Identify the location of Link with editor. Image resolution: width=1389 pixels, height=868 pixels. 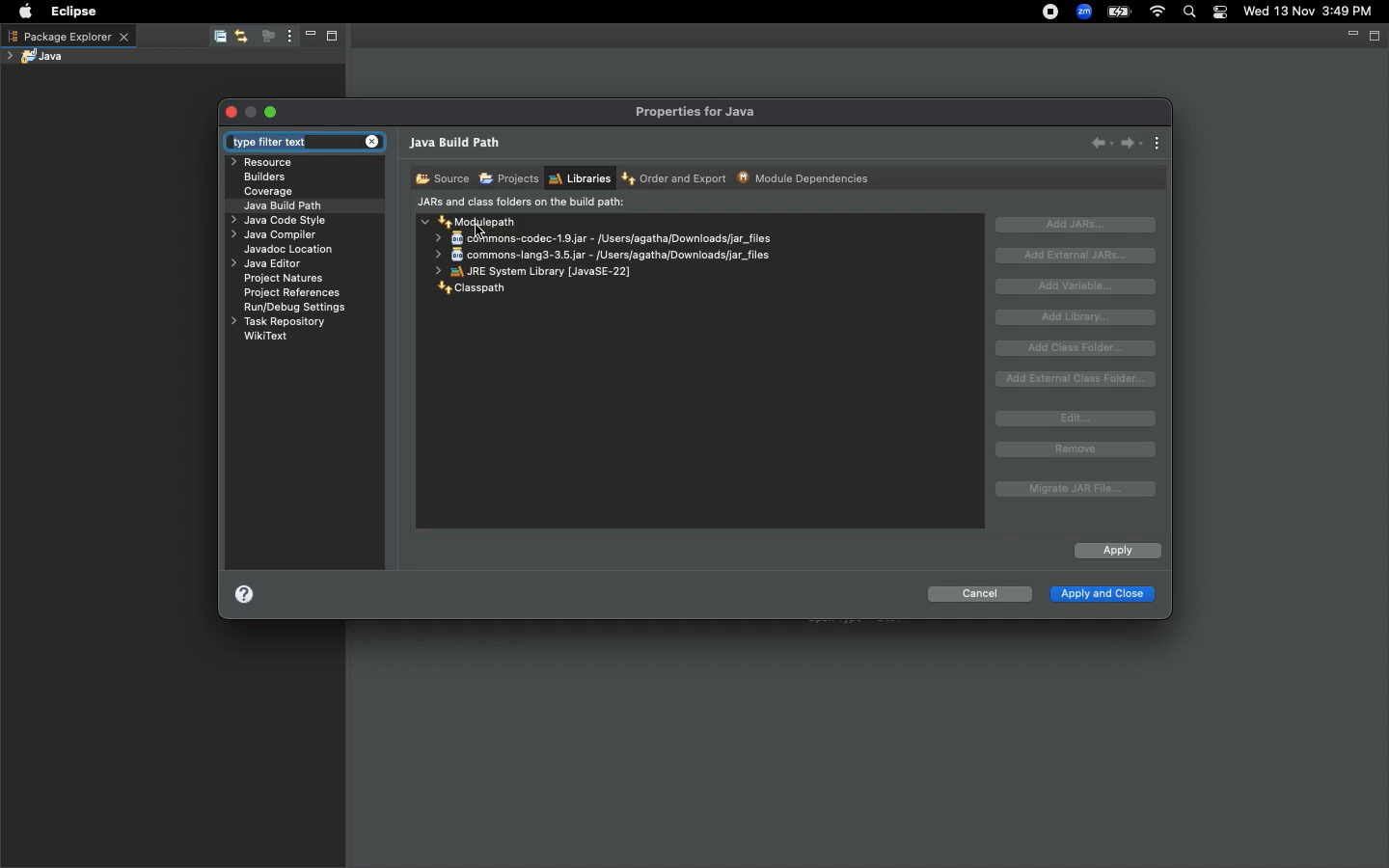
(242, 36).